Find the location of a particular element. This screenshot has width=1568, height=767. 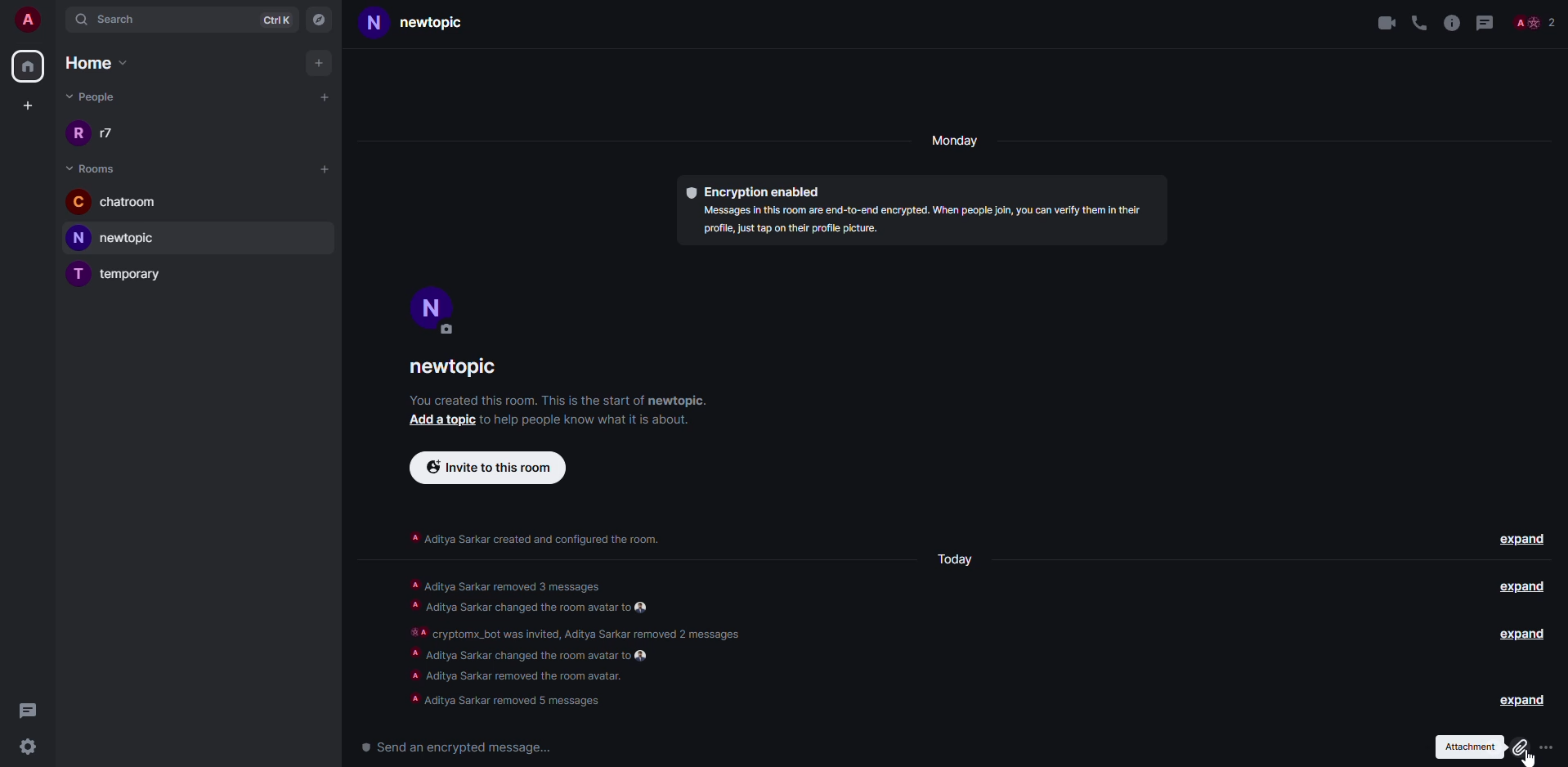

expand is located at coordinates (1520, 587).